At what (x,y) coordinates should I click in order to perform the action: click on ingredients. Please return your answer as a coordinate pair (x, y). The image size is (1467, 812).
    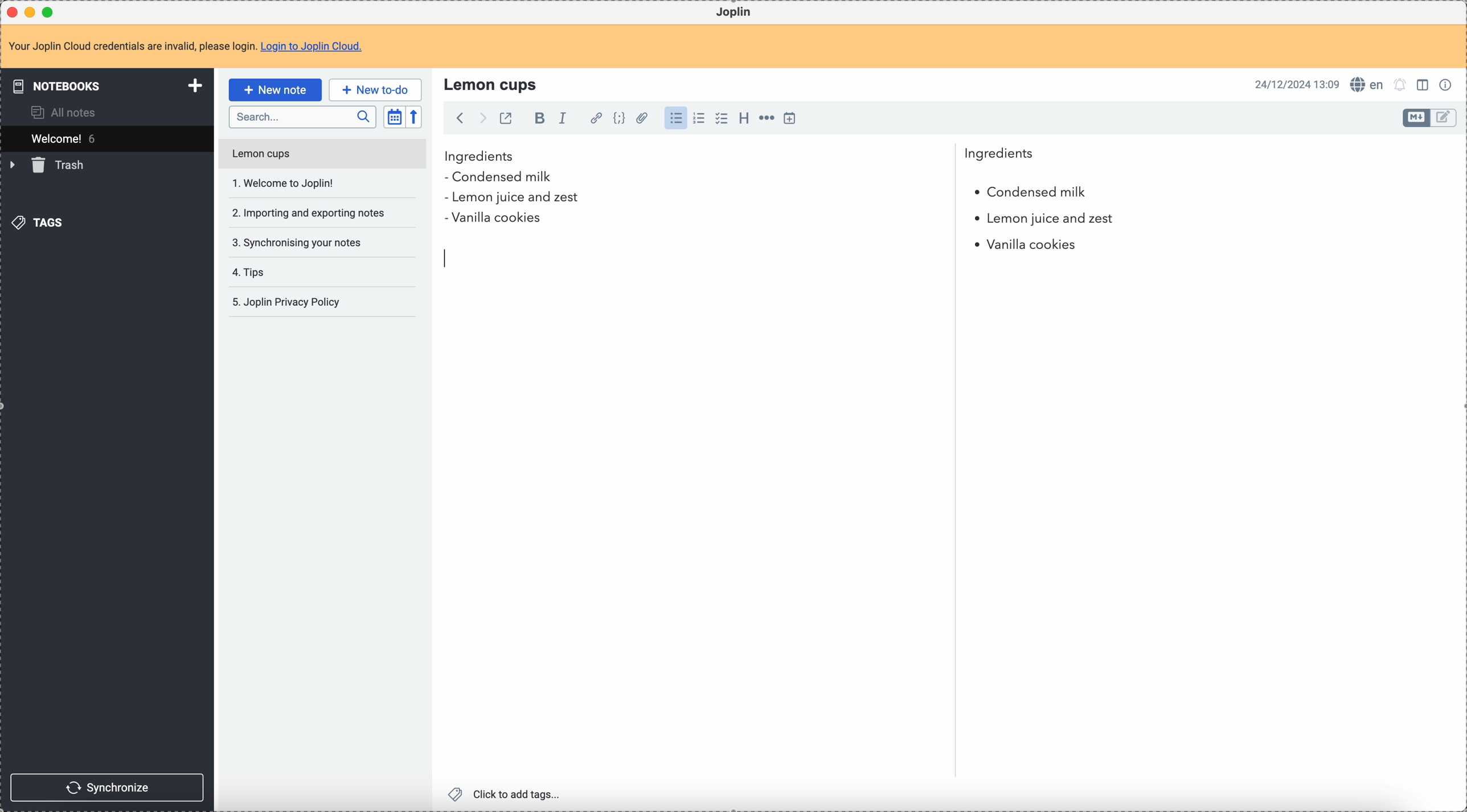
    Looking at the image, I should click on (739, 157).